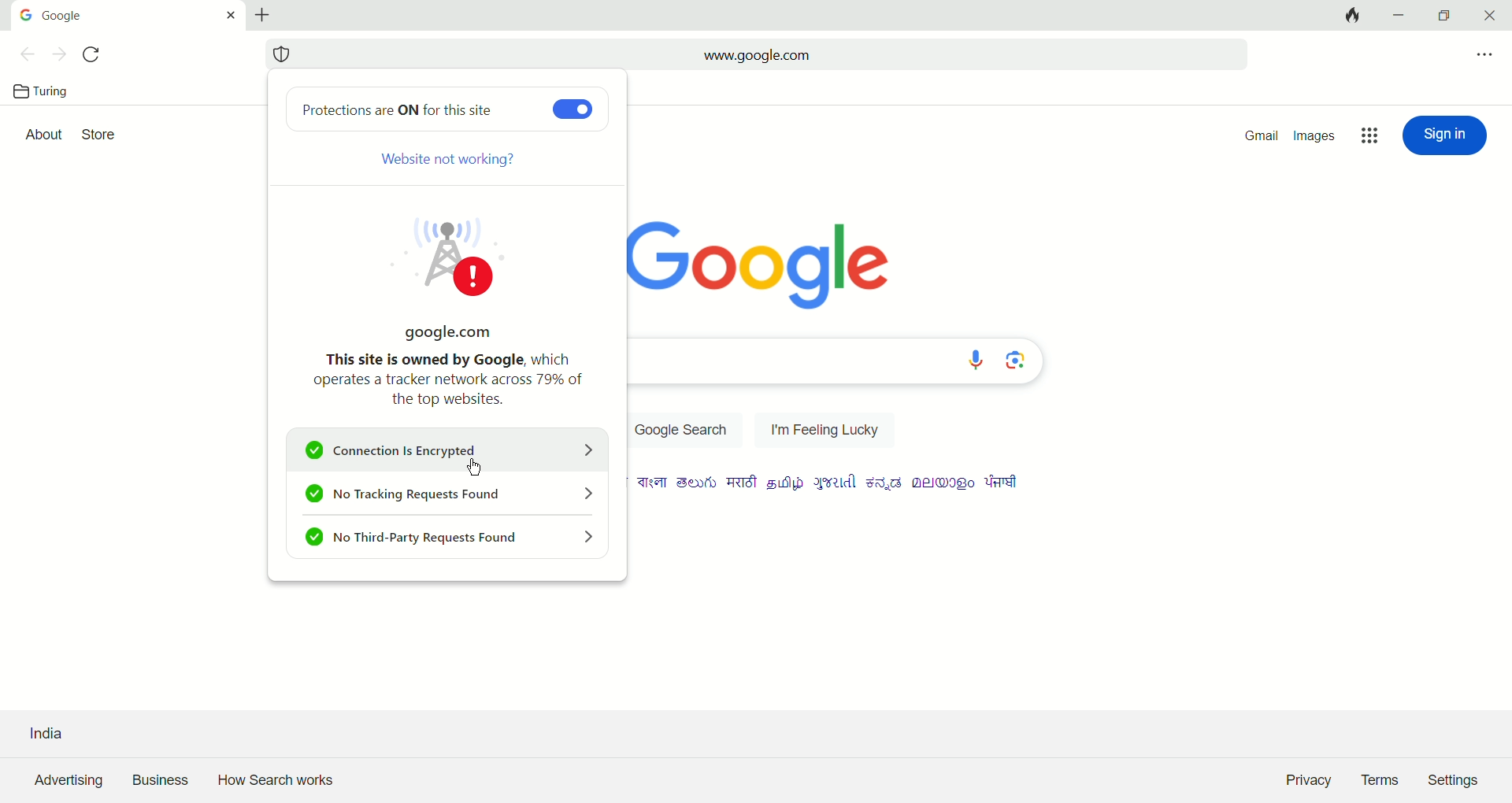  Describe the element at coordinates (1017, 361) in the screenshot. I see `image search` at that location.